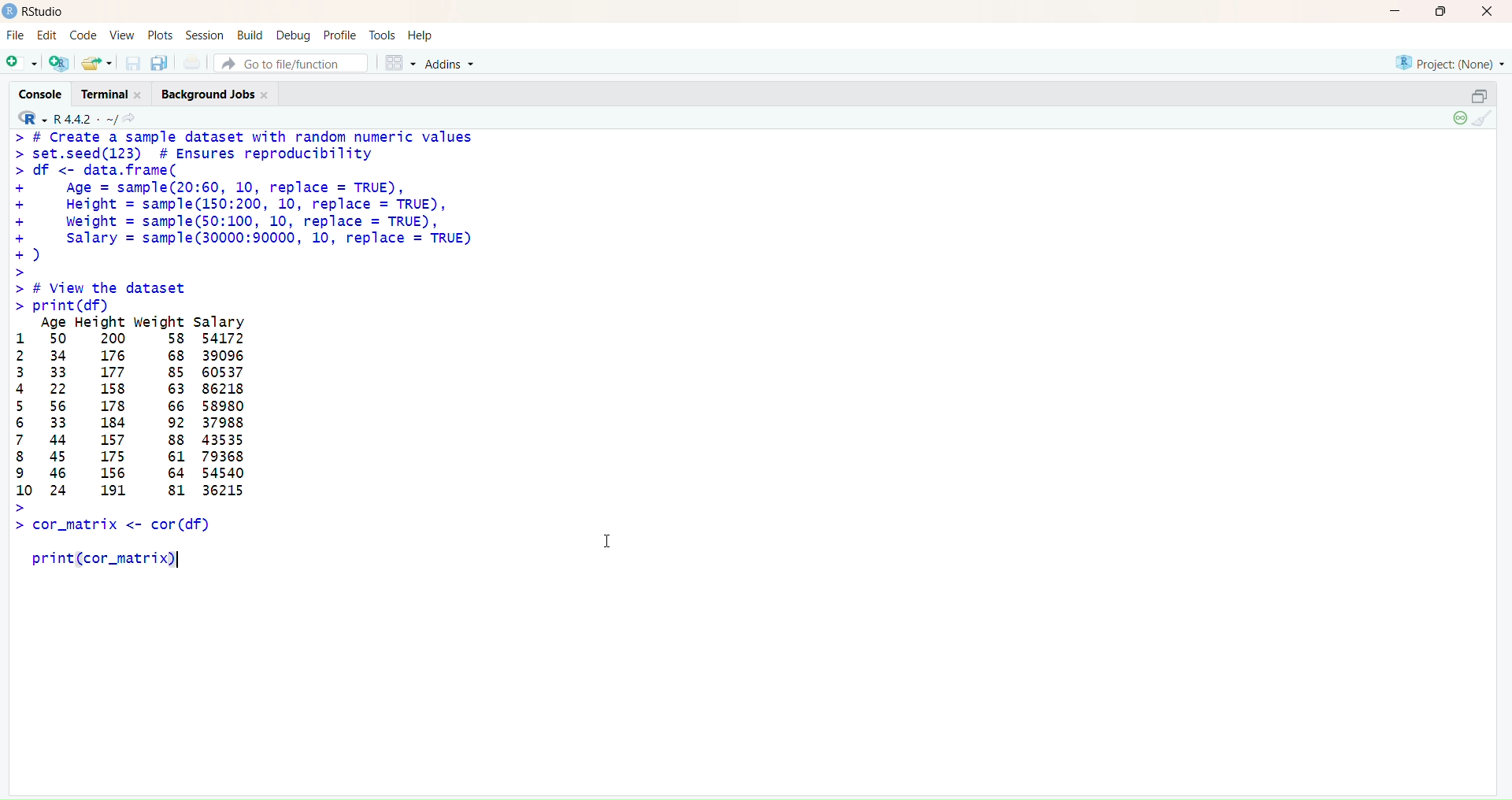 This screenshot has width=1512, height=800. I want to click on Addons, so click(453, 64).